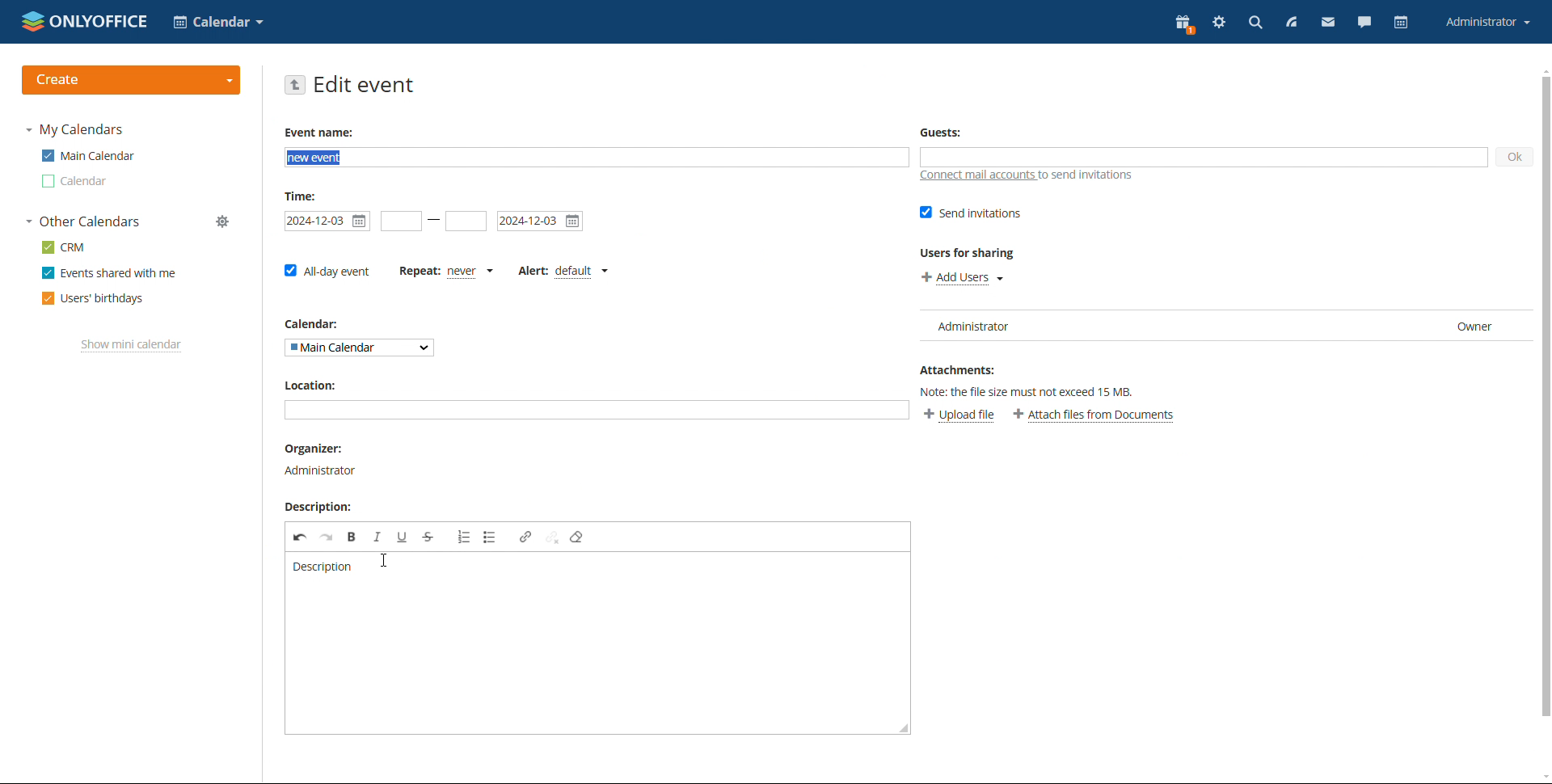  I want to click on organizer, so click(319, 471).